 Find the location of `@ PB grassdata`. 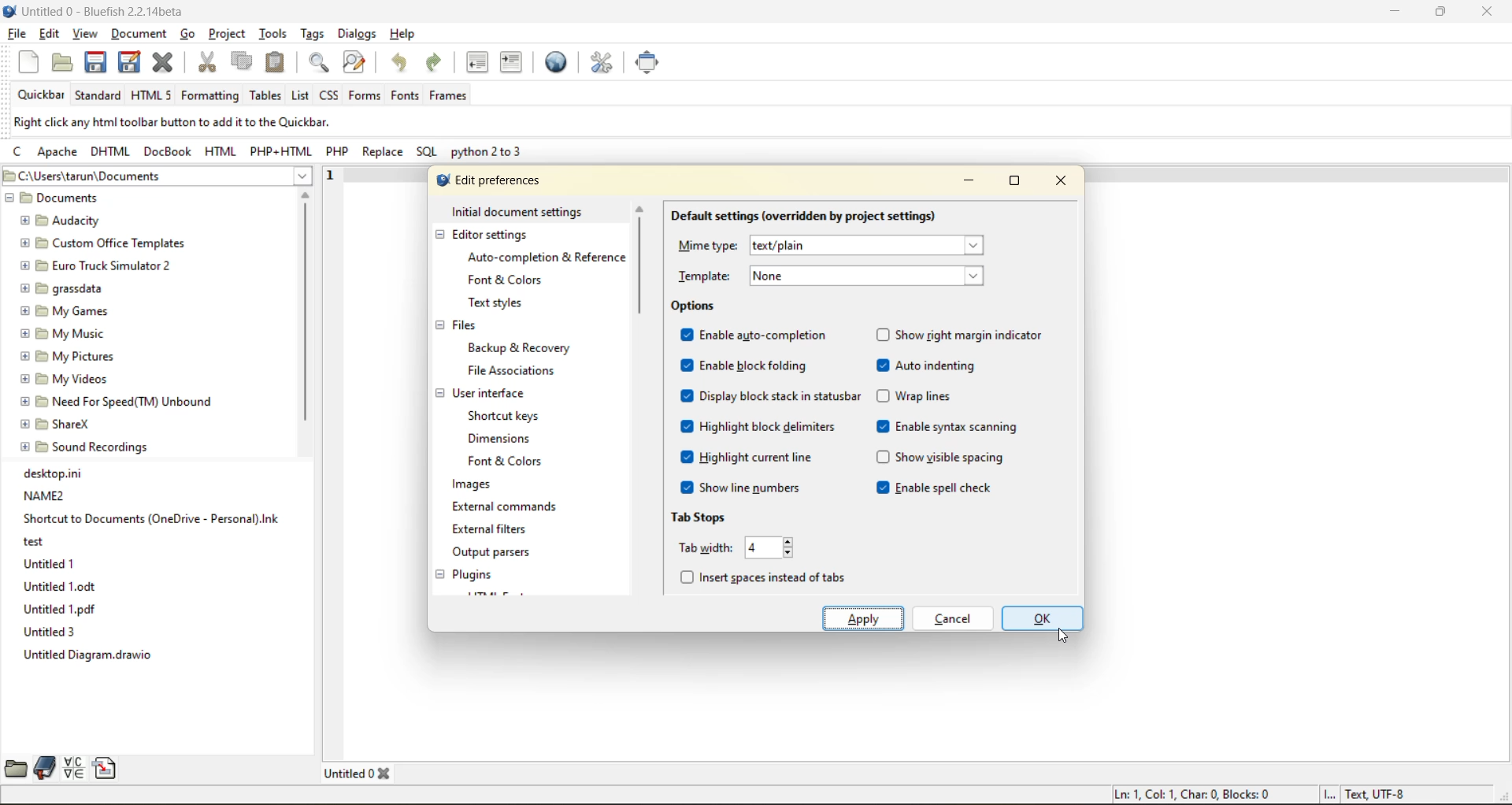

@ PB grassdata is located at coordinates (61, 287).